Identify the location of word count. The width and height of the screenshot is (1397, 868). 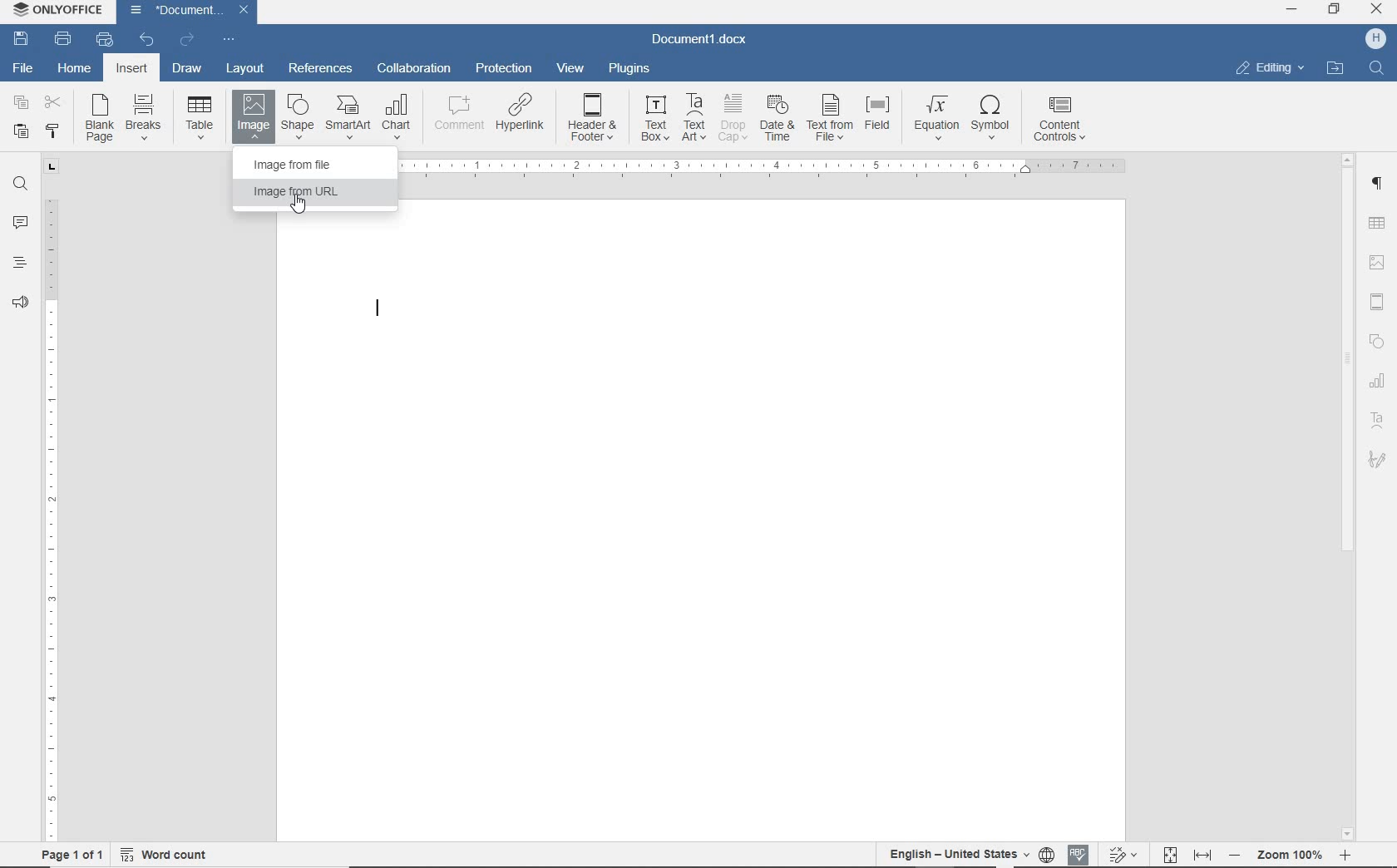
(169, 856).